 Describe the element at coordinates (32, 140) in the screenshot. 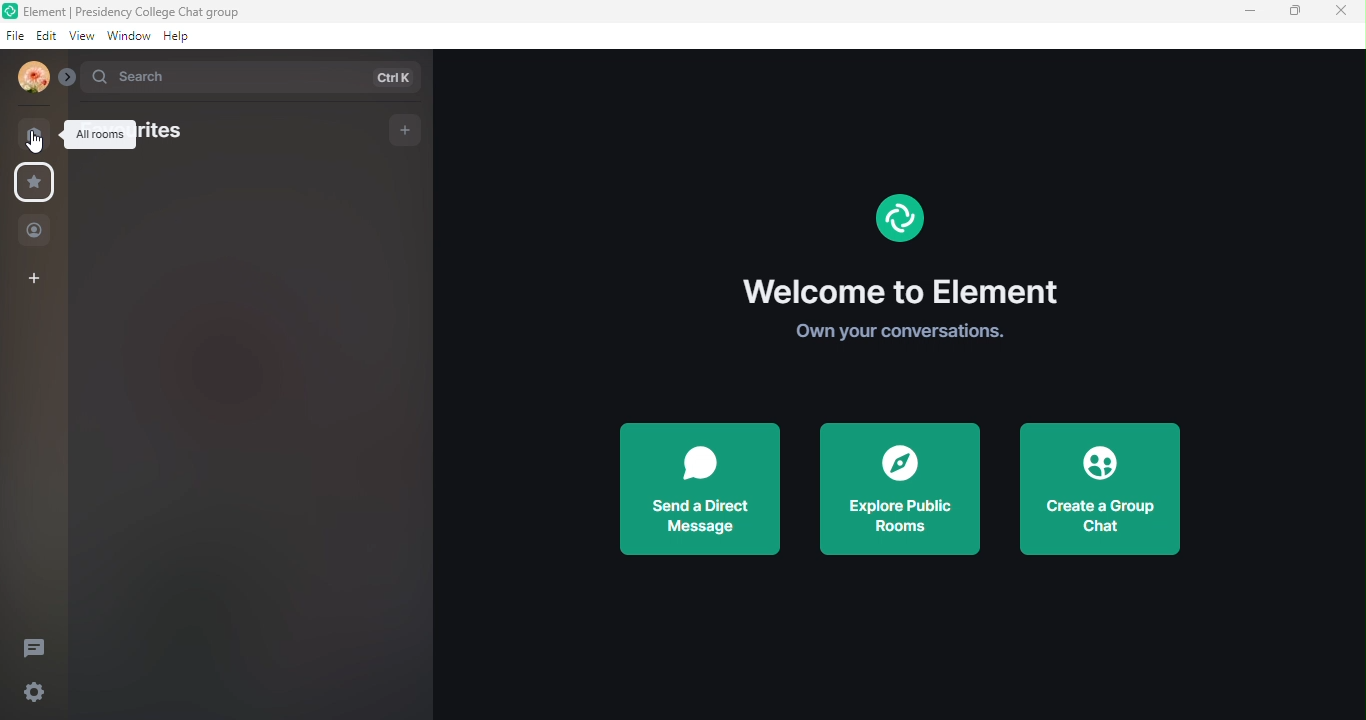

I see `cursor` at that location.